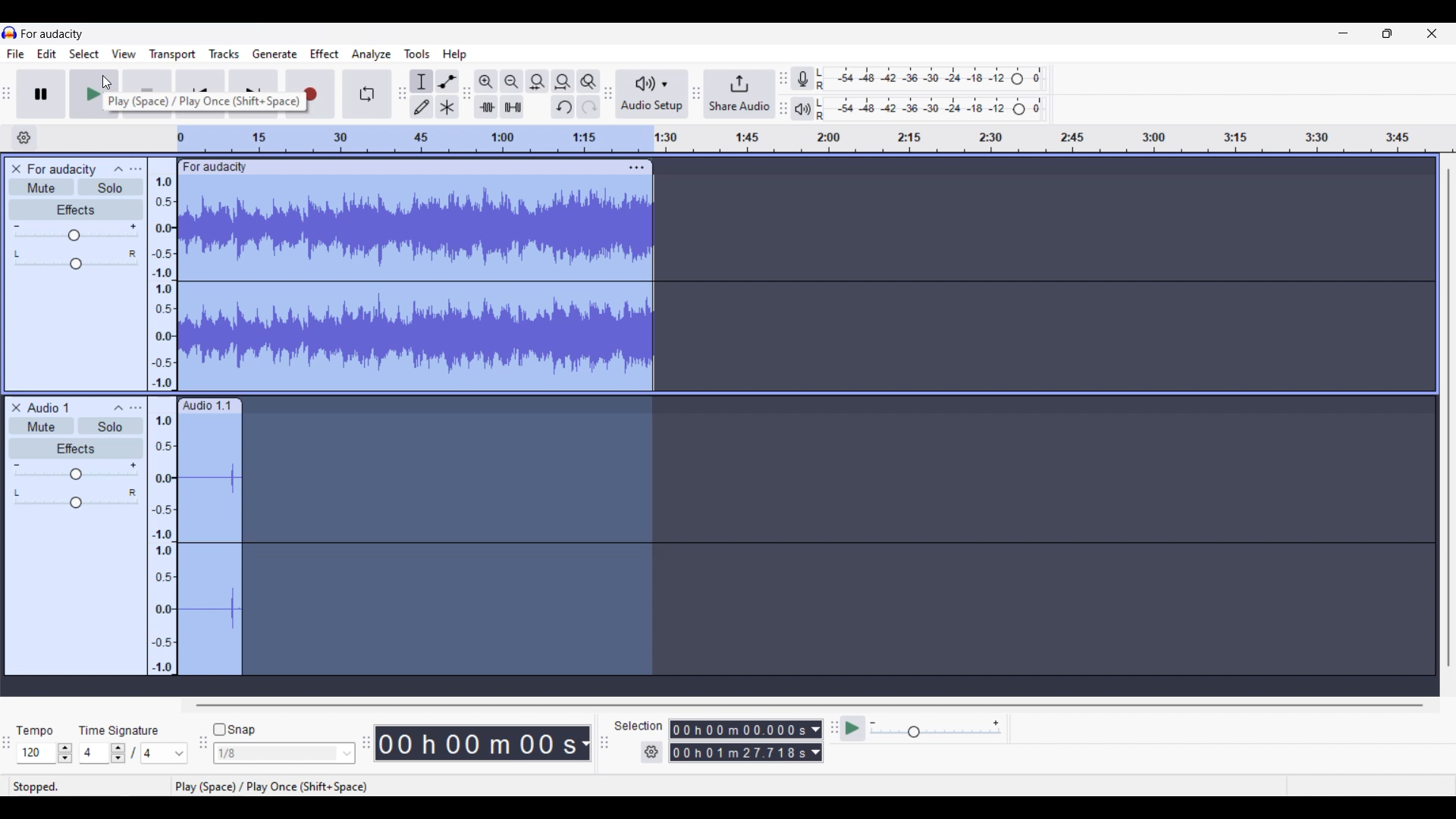 This screenshot has height=819, width=1456. What do you see at coordinates (808, 705) in the screenshot?
I see `Horizontal slide bar` at bounding box center [808, 705].